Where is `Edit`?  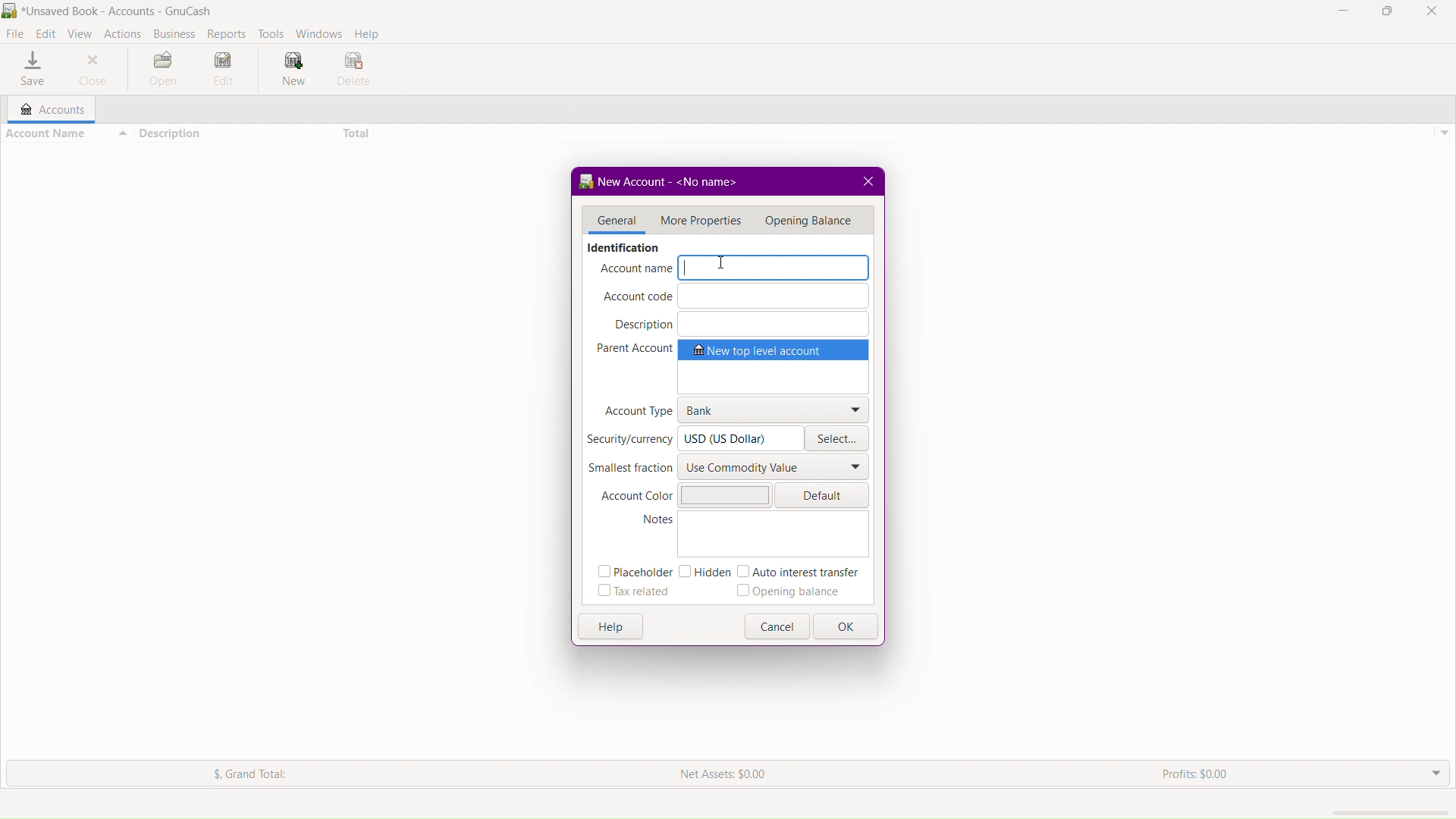 Edit is located at coordinates (47, 32).